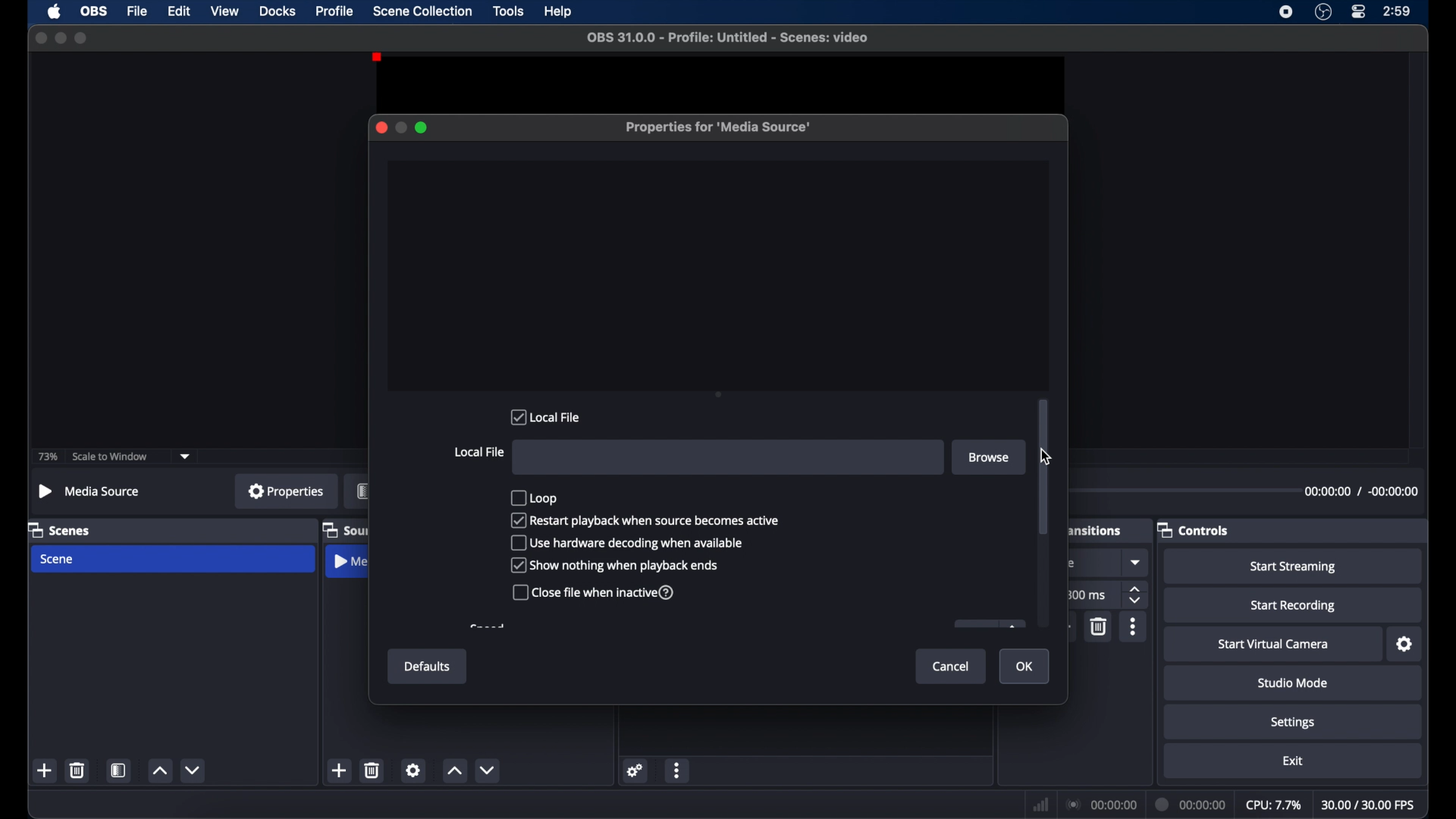  Describe the element at coordinates (335, 11) in the screenshot. I see `profile` at that location.